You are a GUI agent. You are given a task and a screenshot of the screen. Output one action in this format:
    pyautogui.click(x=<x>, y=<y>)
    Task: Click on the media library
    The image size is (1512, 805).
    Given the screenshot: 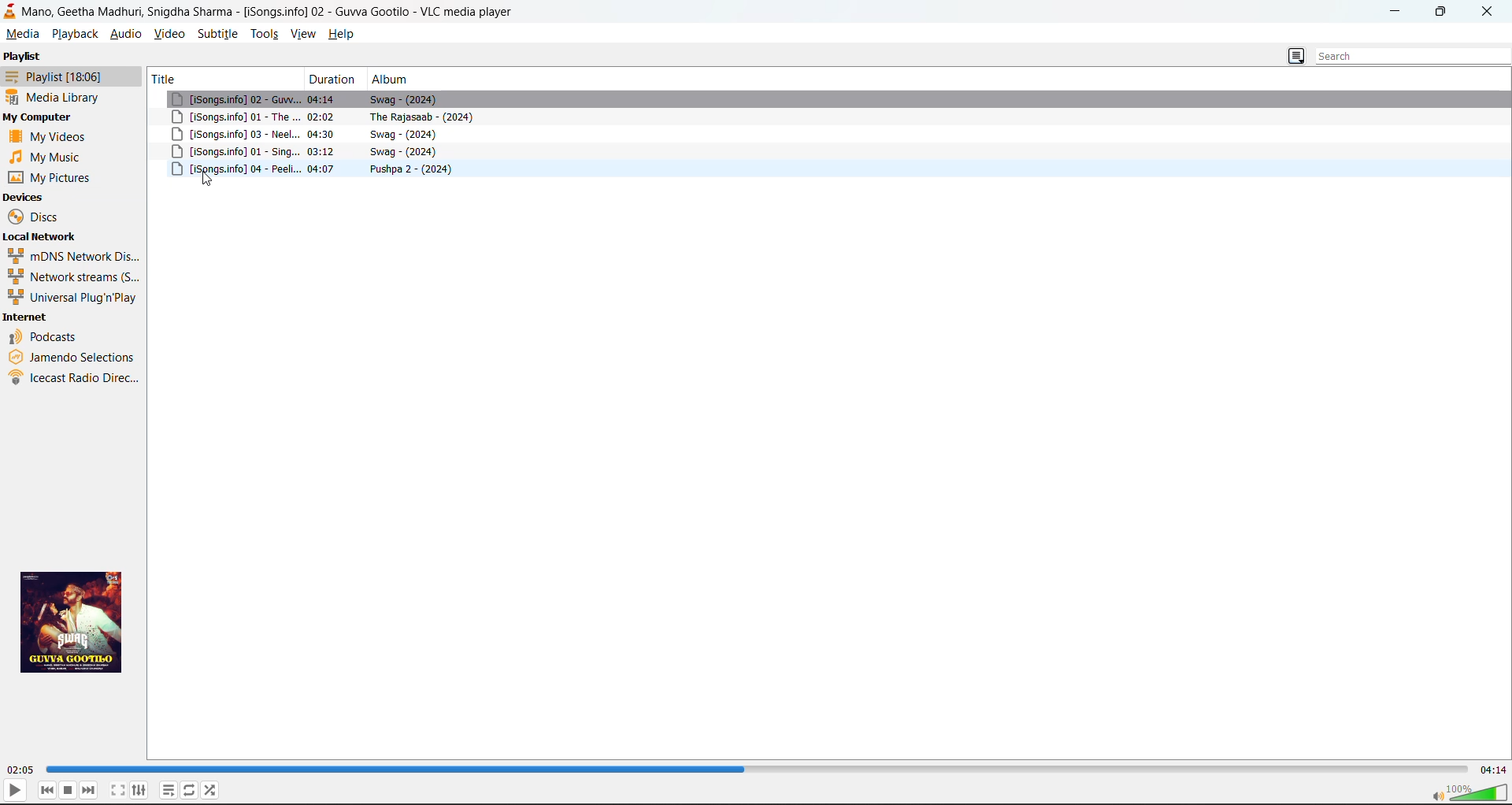 What is the action you would take?
    pyautogui.click(x=57, y=97)
    